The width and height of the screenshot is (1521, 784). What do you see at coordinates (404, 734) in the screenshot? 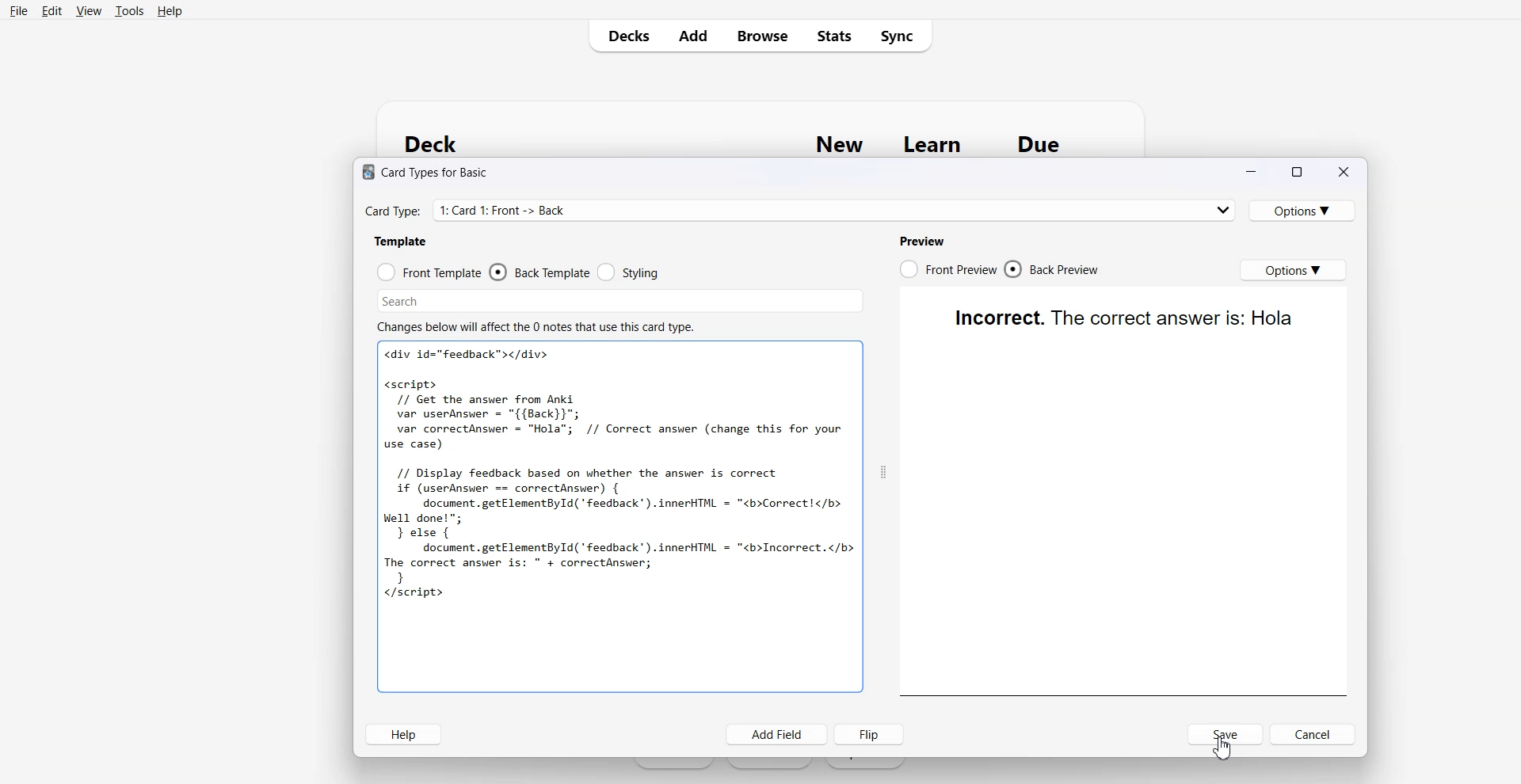
I see `Help` at bounding box center [404, 734].